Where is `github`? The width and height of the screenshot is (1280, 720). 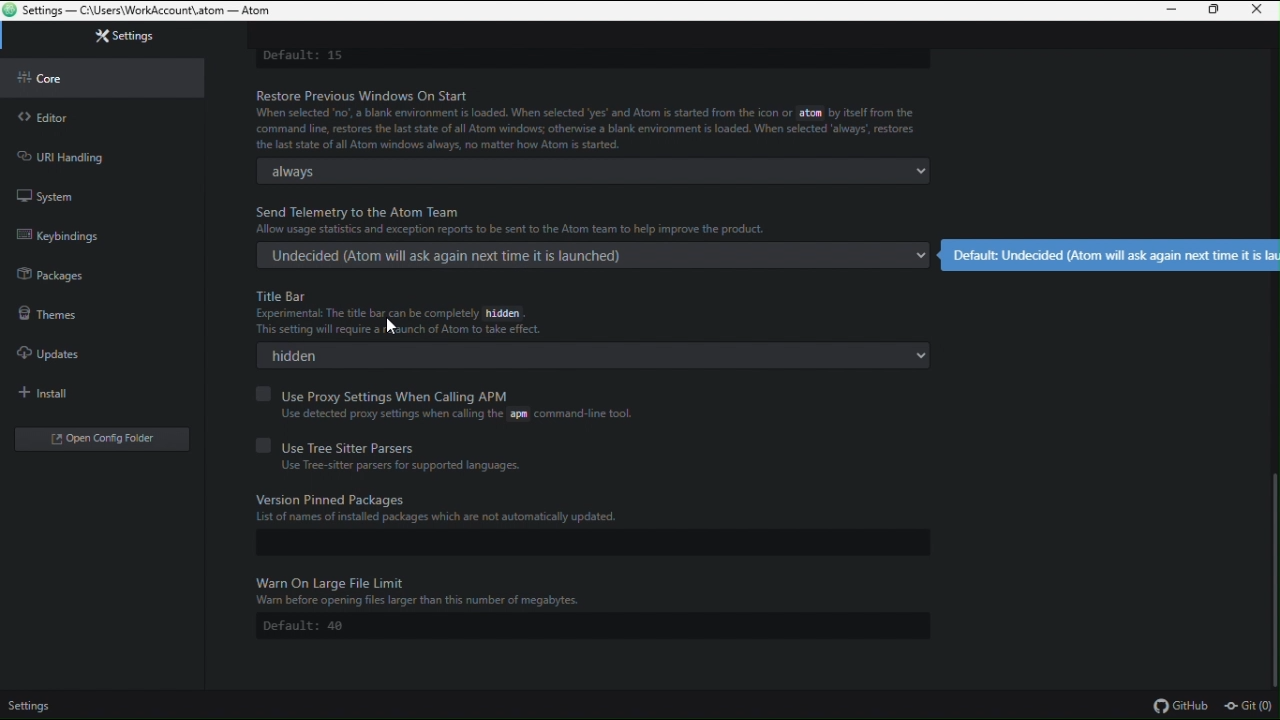 github is located at coordinates (1181, 706).